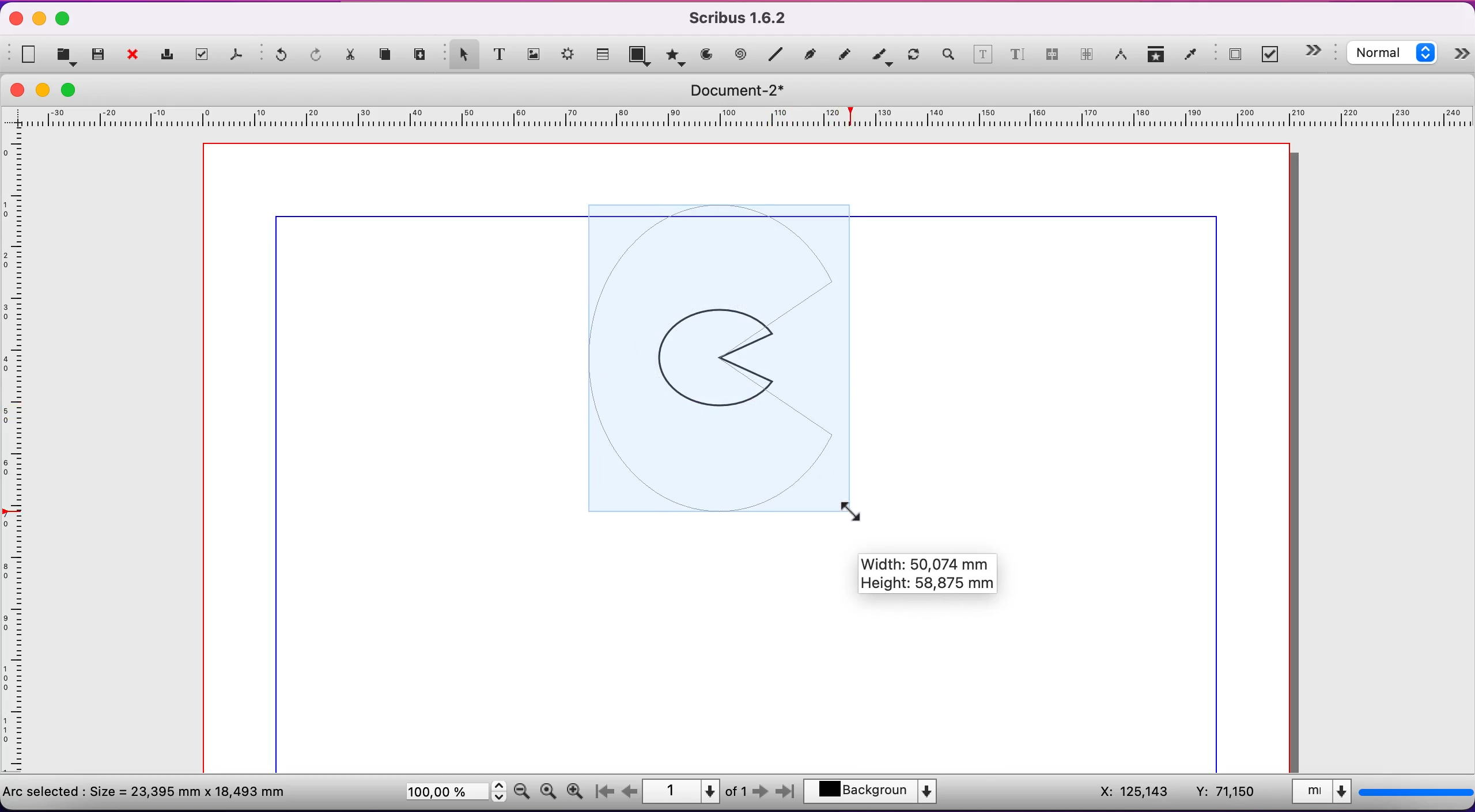 The image size is (1475, 812). Describe the element at coordinates (641, 57) in the screenshot. I see `shape` at that location.